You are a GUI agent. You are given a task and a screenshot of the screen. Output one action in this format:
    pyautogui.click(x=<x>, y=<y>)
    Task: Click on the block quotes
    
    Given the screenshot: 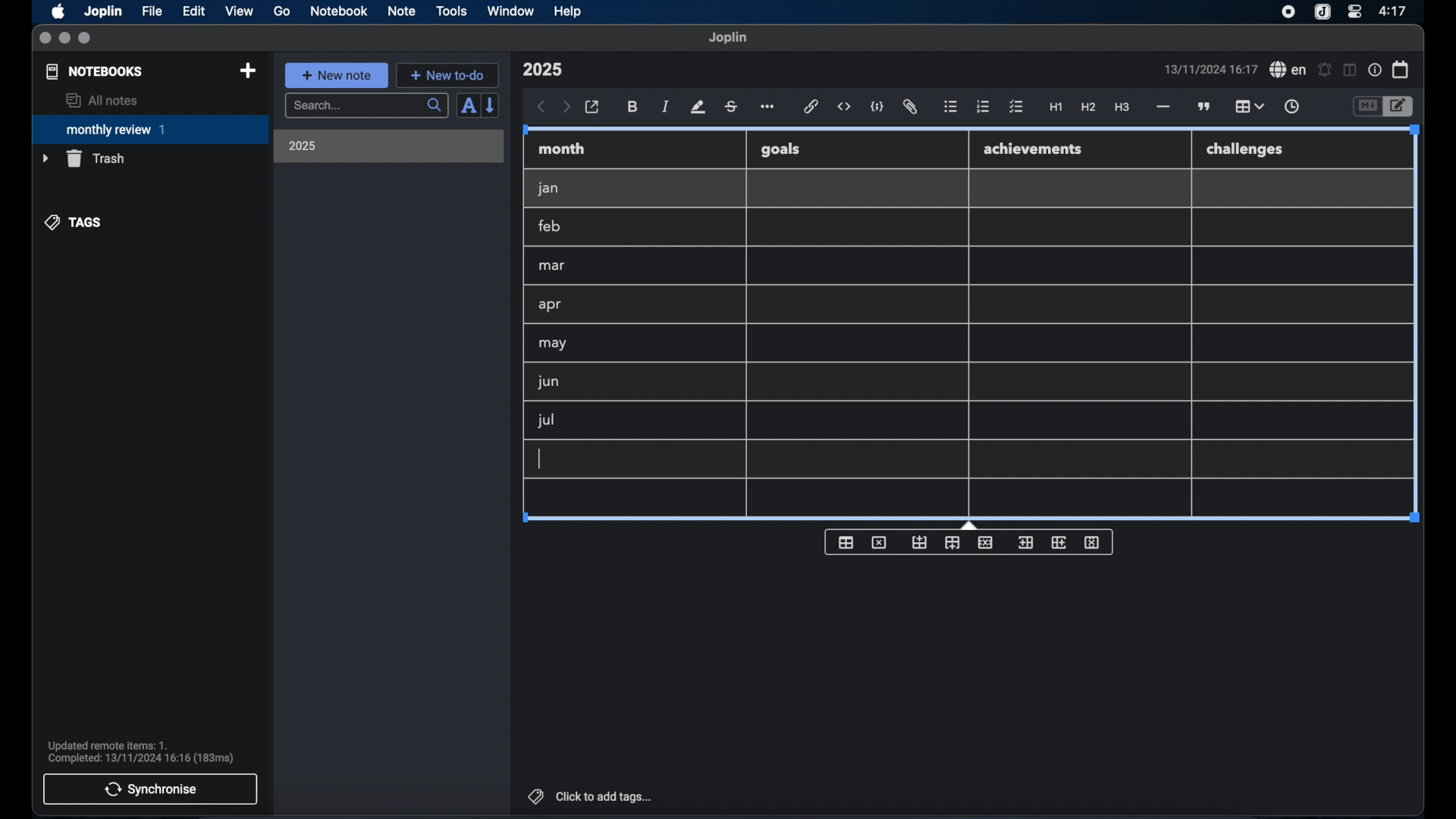 What is the action you would take?
    pyautogui.click(x=1205, y=107)
    